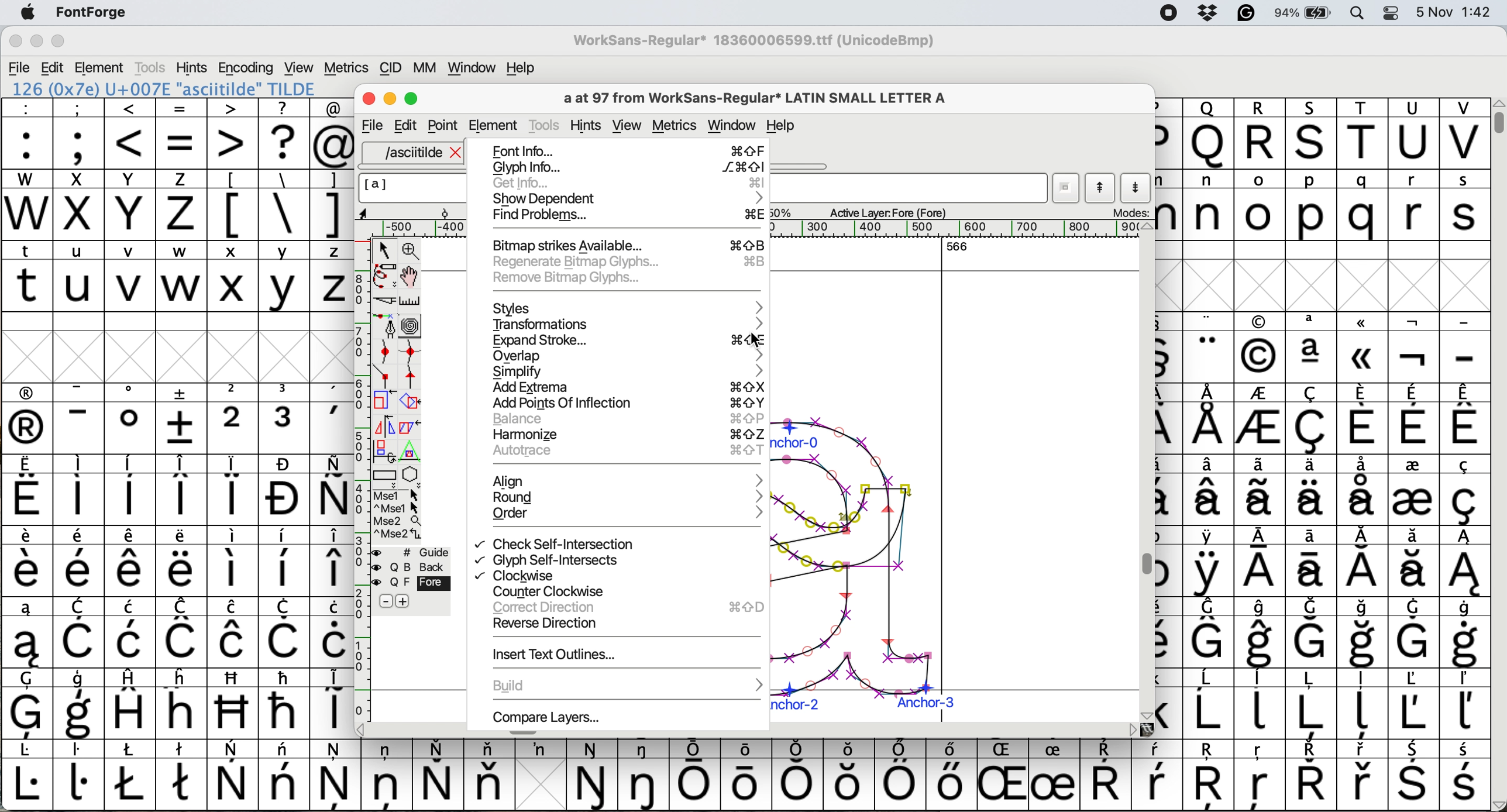 This screenshot has width=1507, height=812. What do you see at coordinates (370, 99) in the screenshot?
I see `Close` at bounding box center [370, 99].